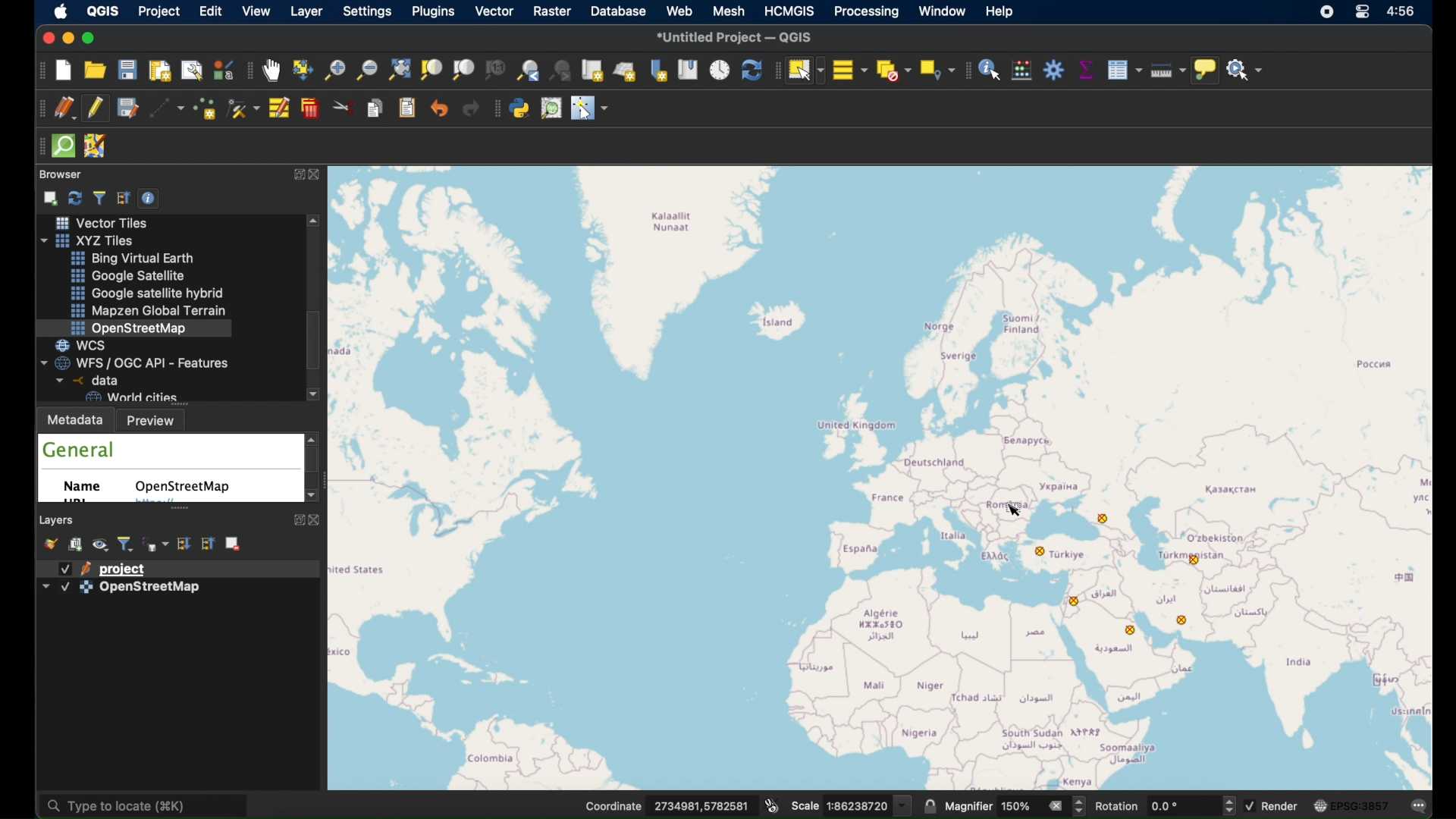  Describe the element at coordinates (151, 311) in the screenshot. I see `mapzen global terrain` at that location.